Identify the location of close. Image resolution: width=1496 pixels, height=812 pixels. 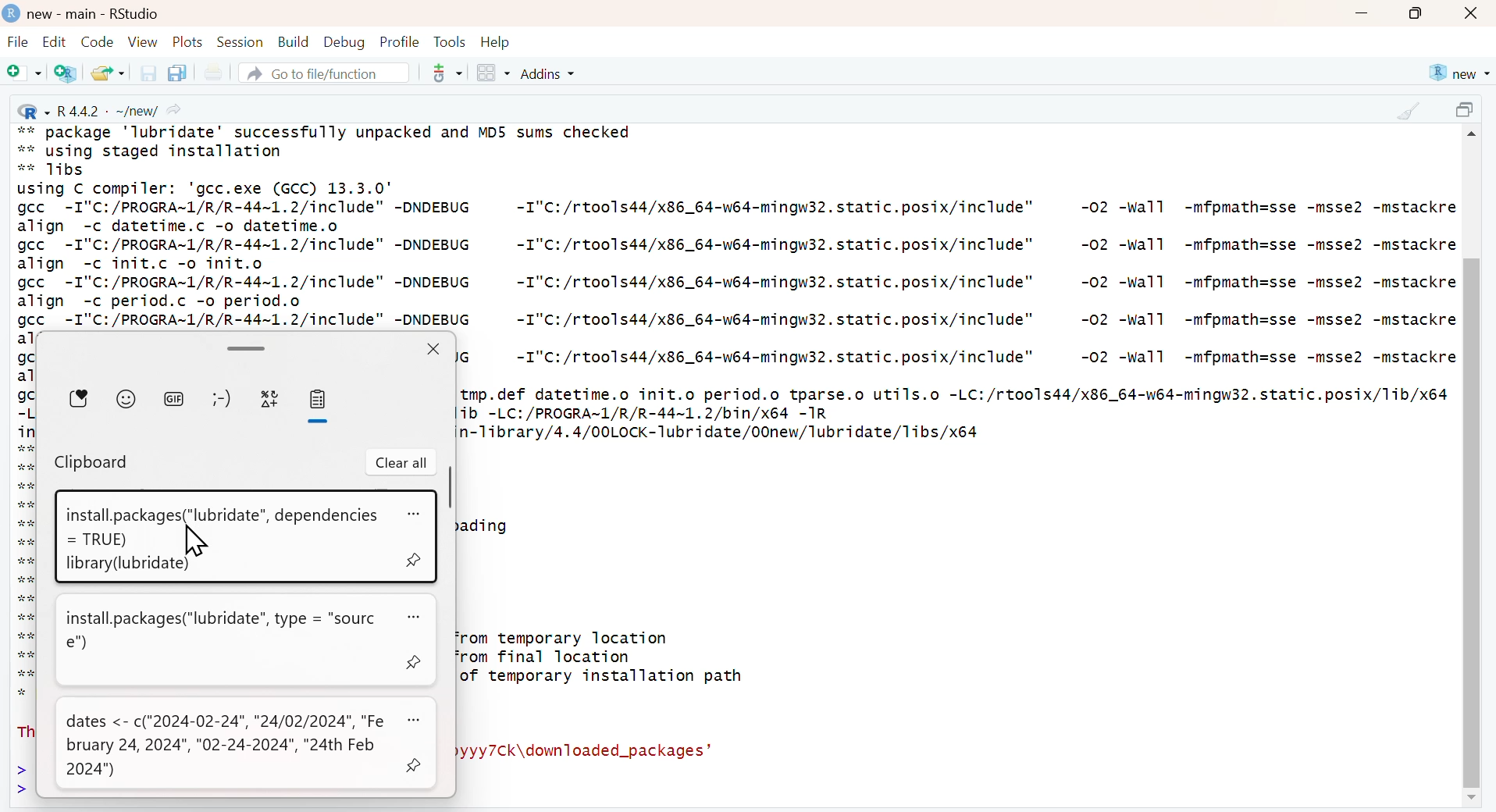
(1473, 14).